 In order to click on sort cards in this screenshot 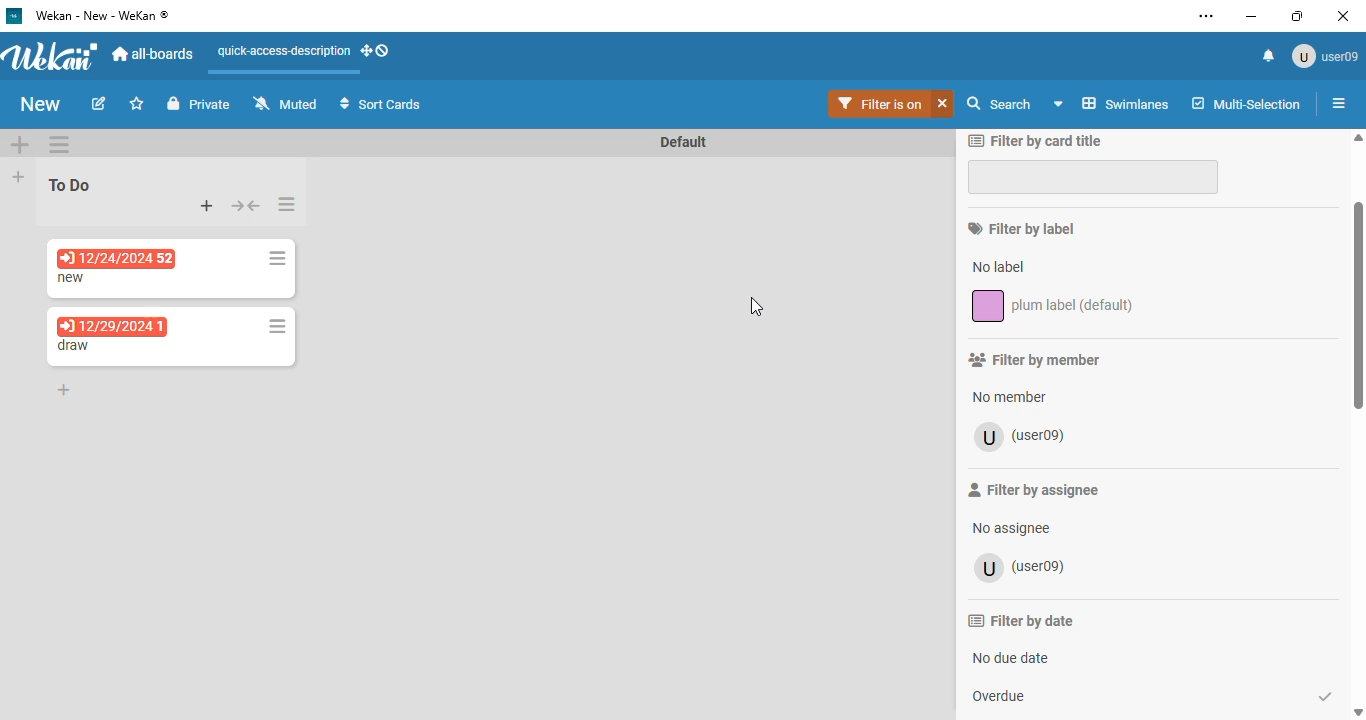, I will do `click(380, 103)`.